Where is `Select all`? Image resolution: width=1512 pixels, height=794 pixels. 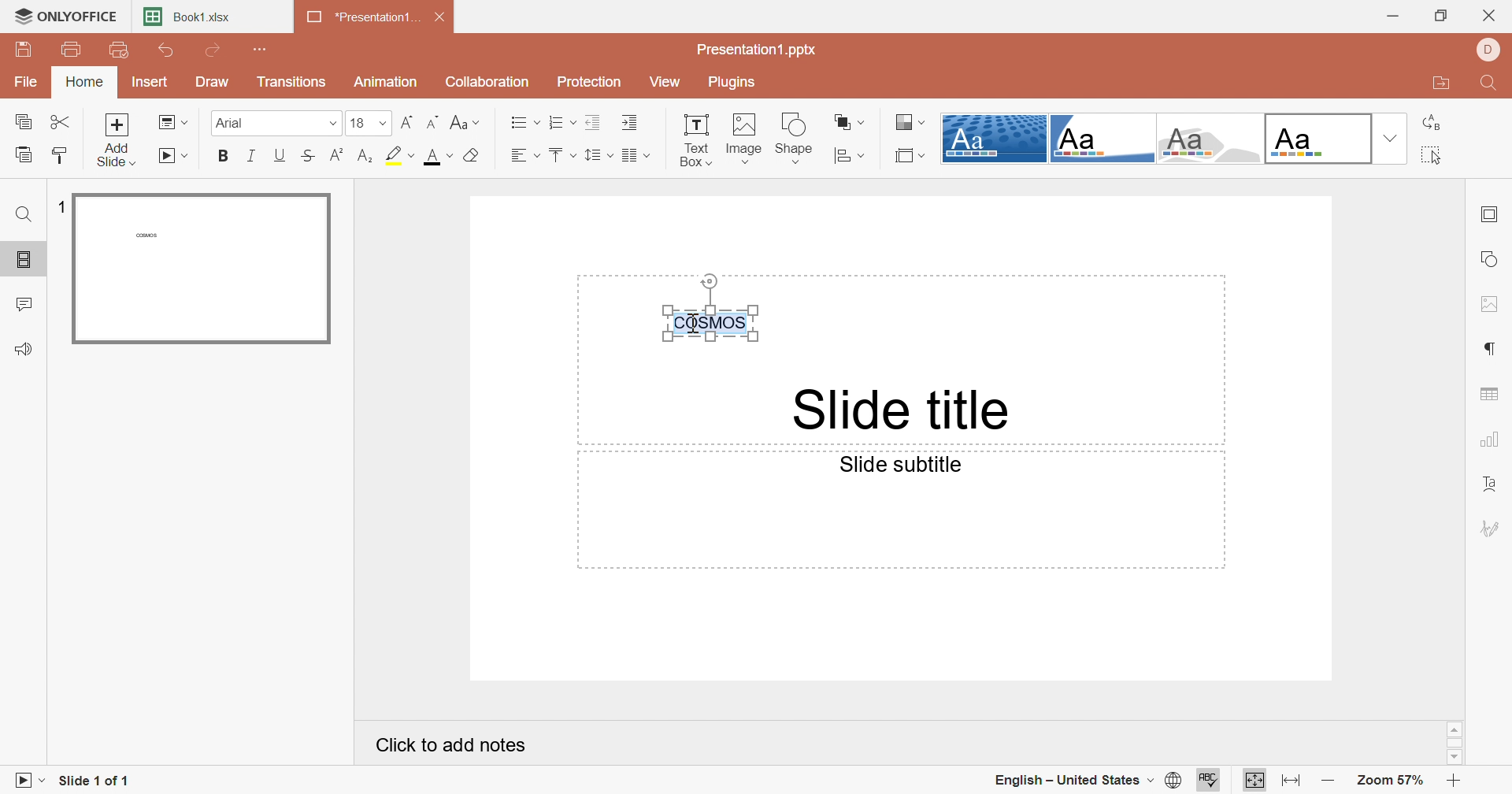 Select all is located at coordinates (1432, 157).